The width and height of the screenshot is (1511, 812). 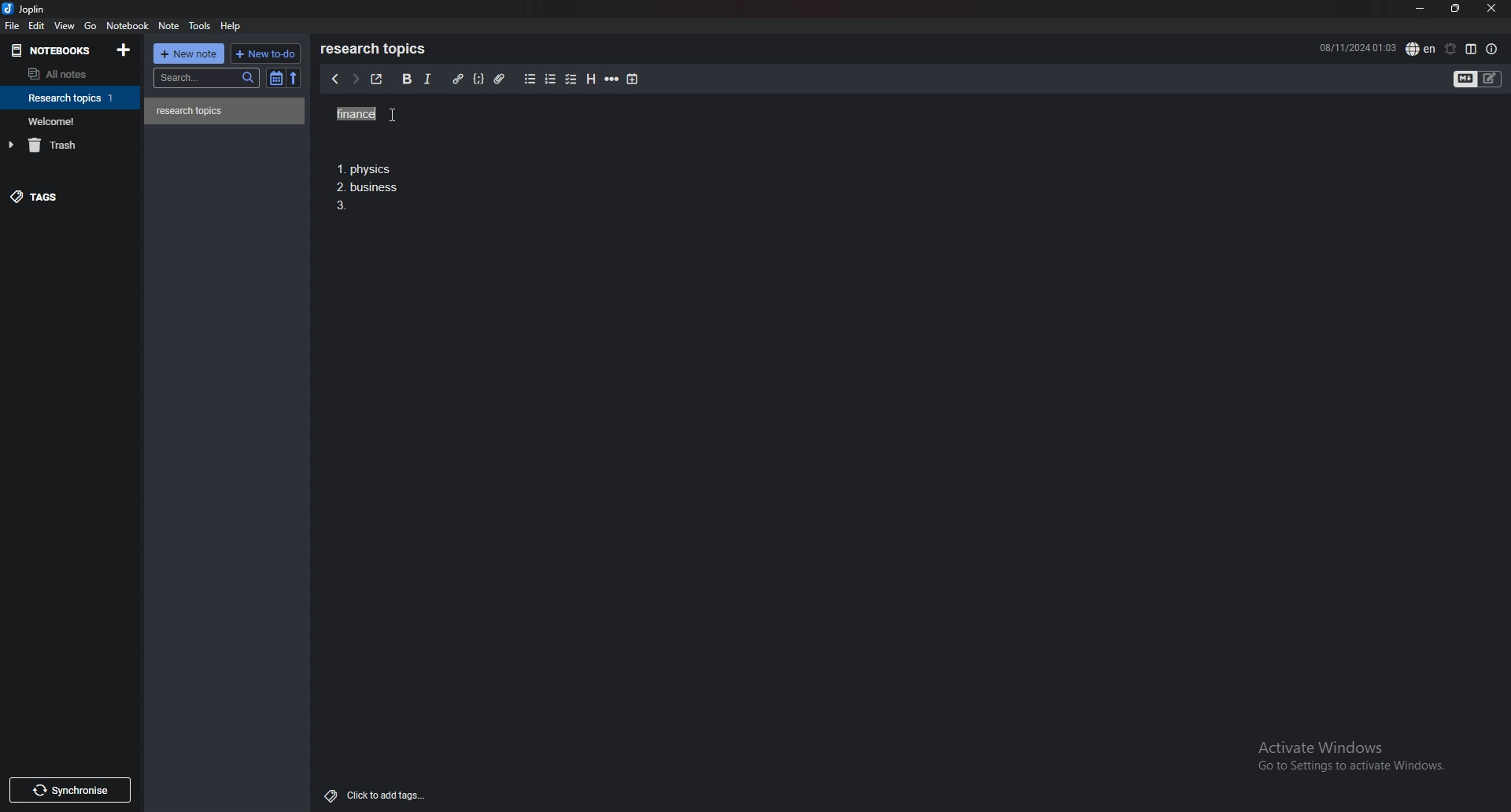 I want to click on notebooks, so click(x=54, y=50).